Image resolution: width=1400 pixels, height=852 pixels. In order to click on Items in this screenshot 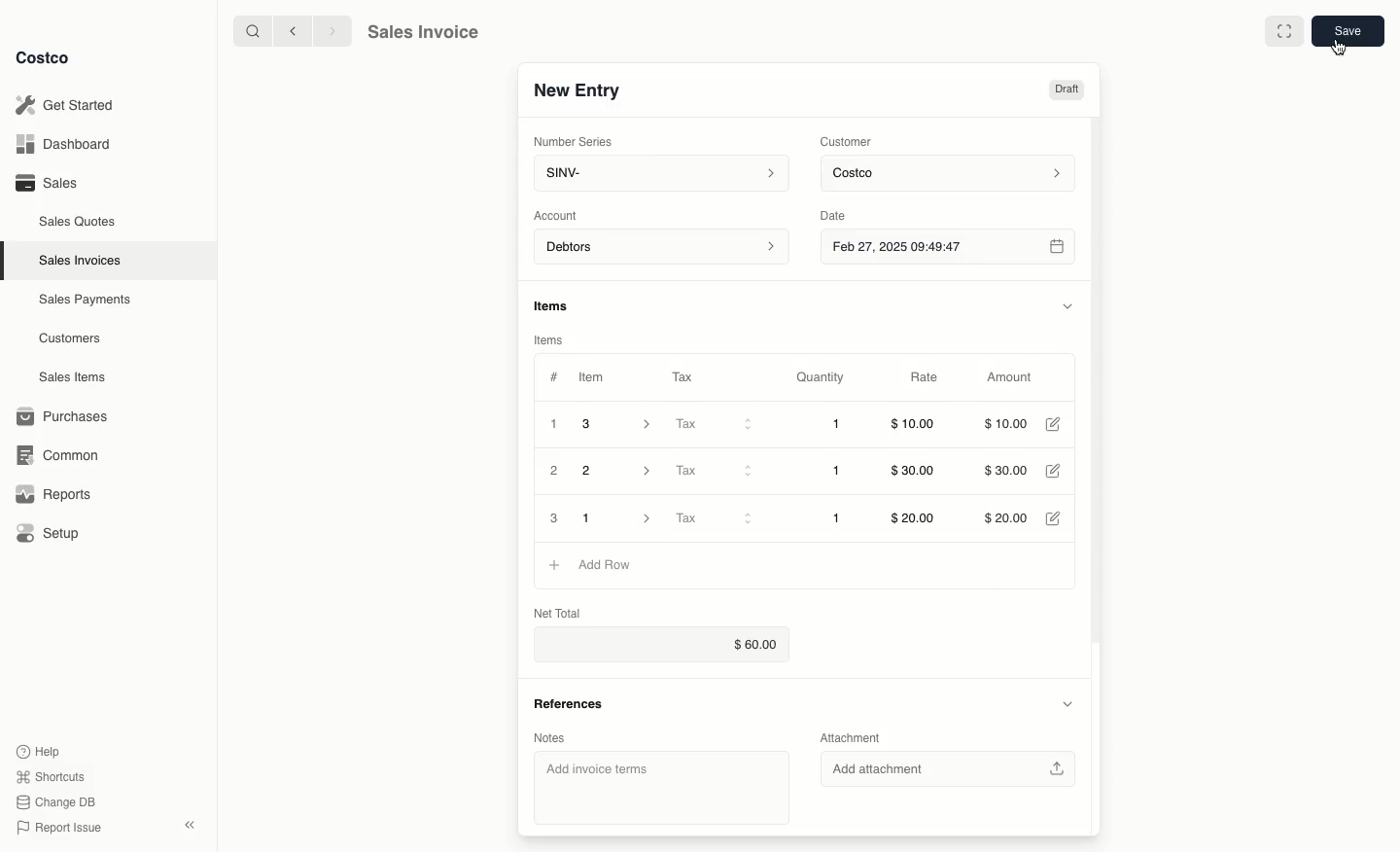, I will do `click(560, 307)`.